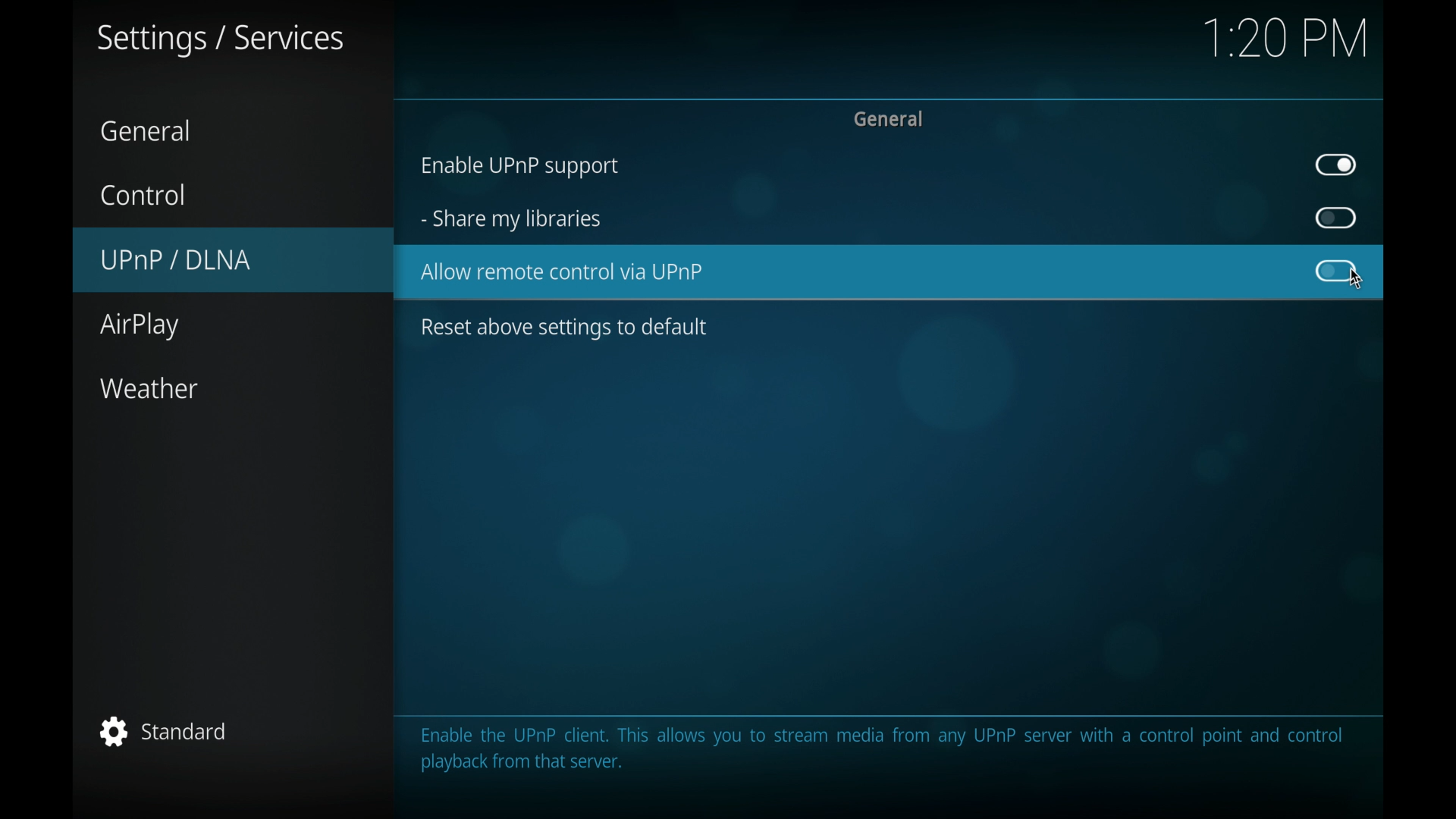 This screenshot has width=1456, height=819. Describe the element at coordinates (149, 131) in the screenshot. I see `general` at that location.